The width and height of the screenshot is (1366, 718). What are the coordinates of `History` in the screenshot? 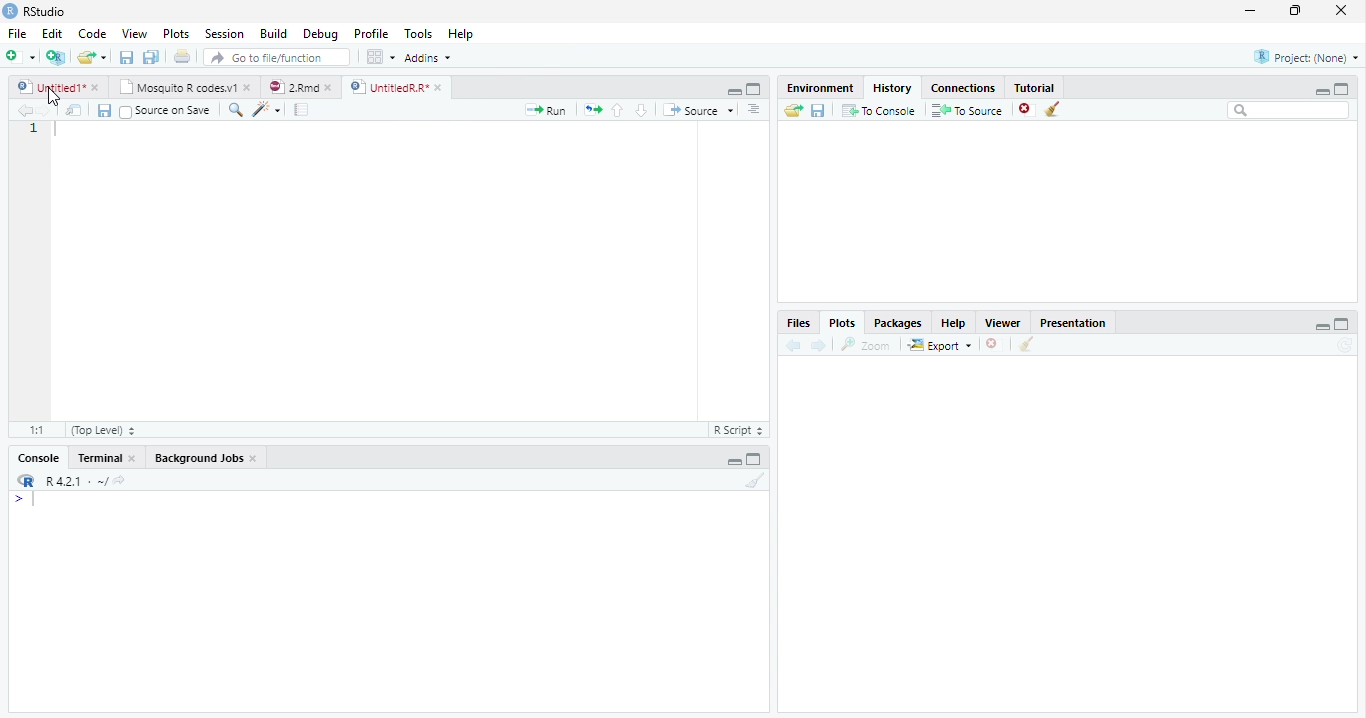 It's located at (893, 88).